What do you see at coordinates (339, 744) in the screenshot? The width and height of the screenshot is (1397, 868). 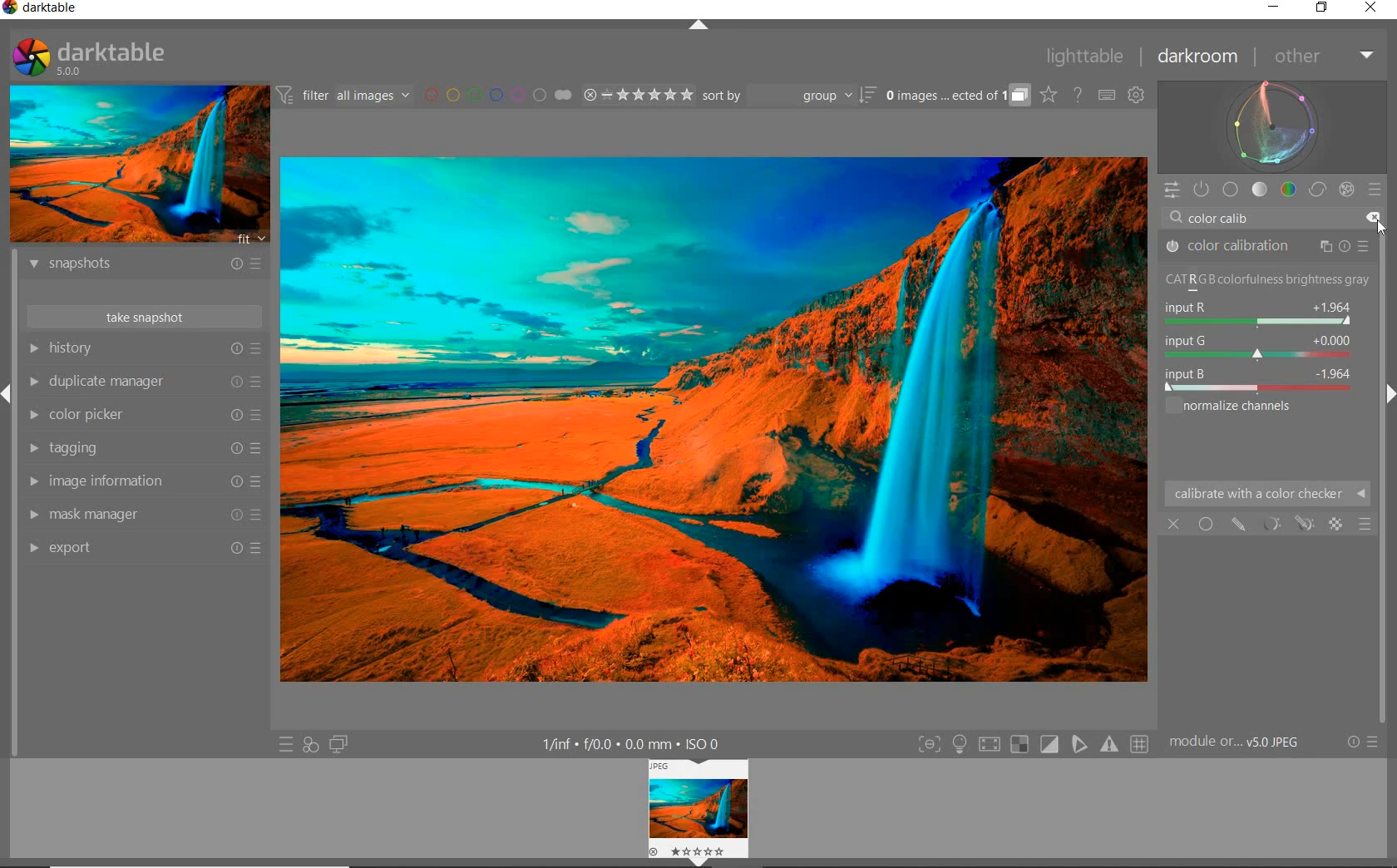 I see `DISPLAY A SECOND DARKROOM IMAGE WINDOW` at bounding box center [339, 744].